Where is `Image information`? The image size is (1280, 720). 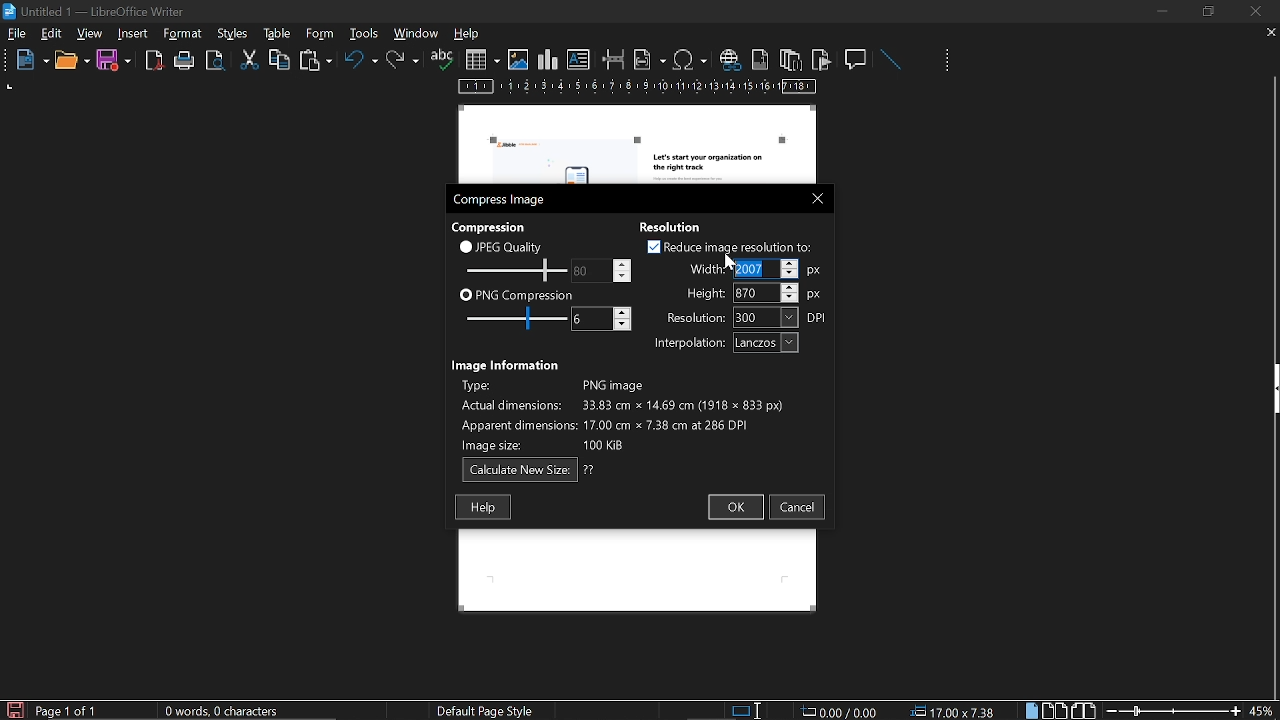
Image information is located at coordinates (508, 363).